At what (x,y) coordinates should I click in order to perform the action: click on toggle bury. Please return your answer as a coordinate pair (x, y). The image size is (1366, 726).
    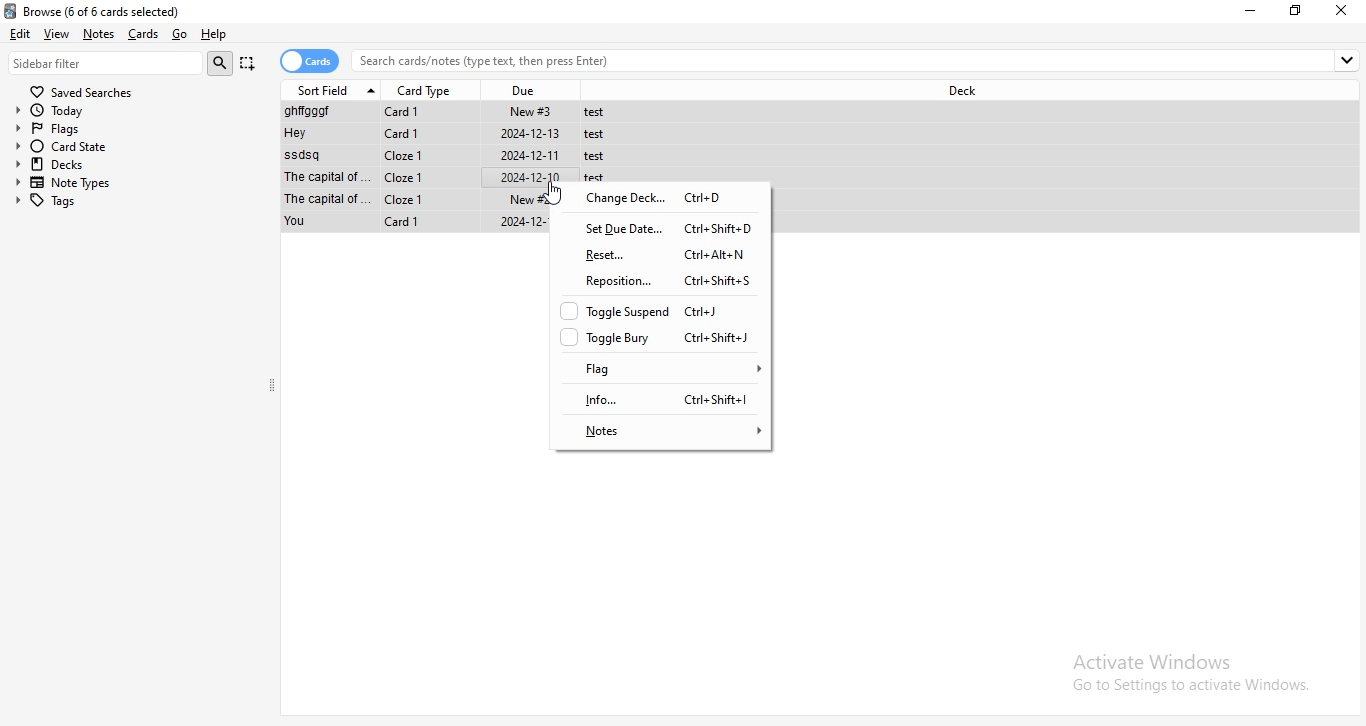
    Looking at the image, I should click on (656, 339).